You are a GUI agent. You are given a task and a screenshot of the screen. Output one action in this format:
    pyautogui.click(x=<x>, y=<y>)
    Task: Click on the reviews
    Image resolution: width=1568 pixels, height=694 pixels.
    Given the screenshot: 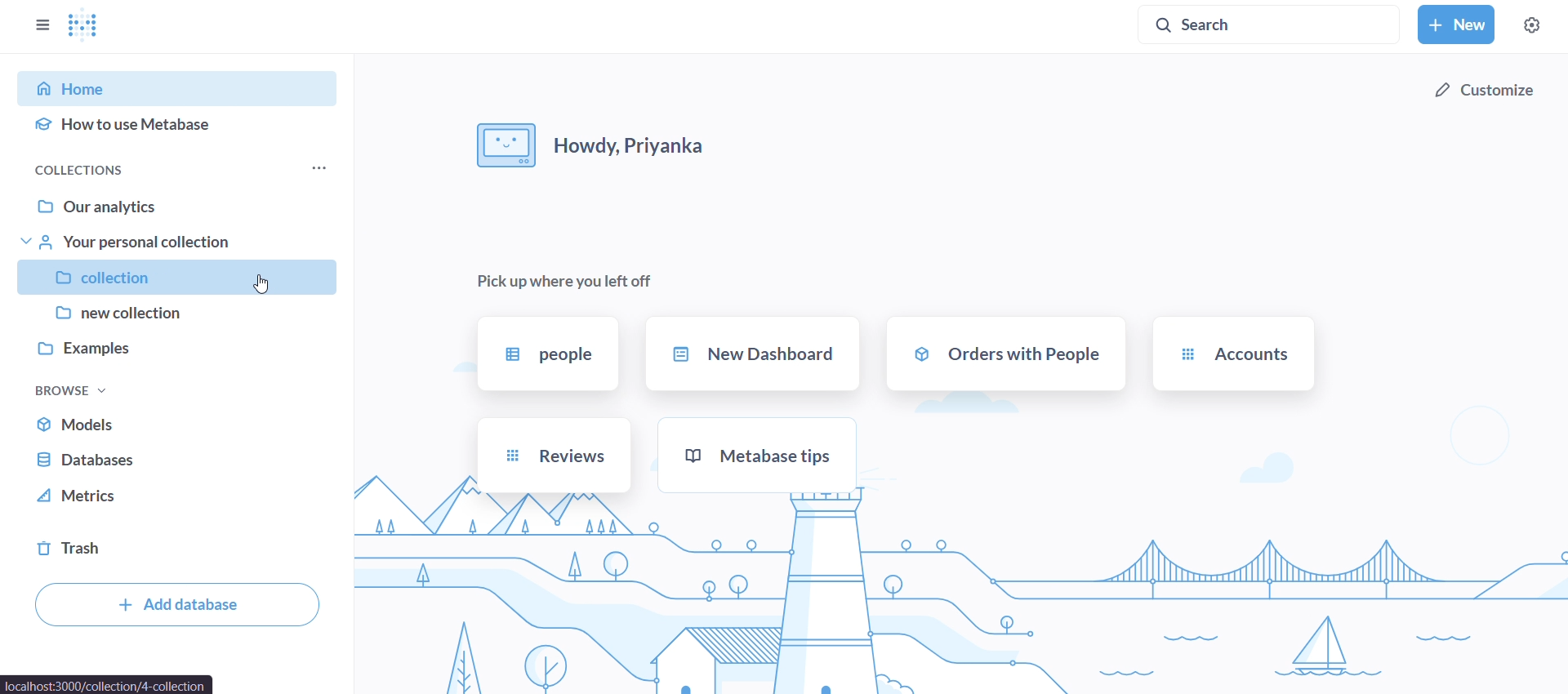 What is the action you would take?
    pyautogui.click(x=555, y=456)
    